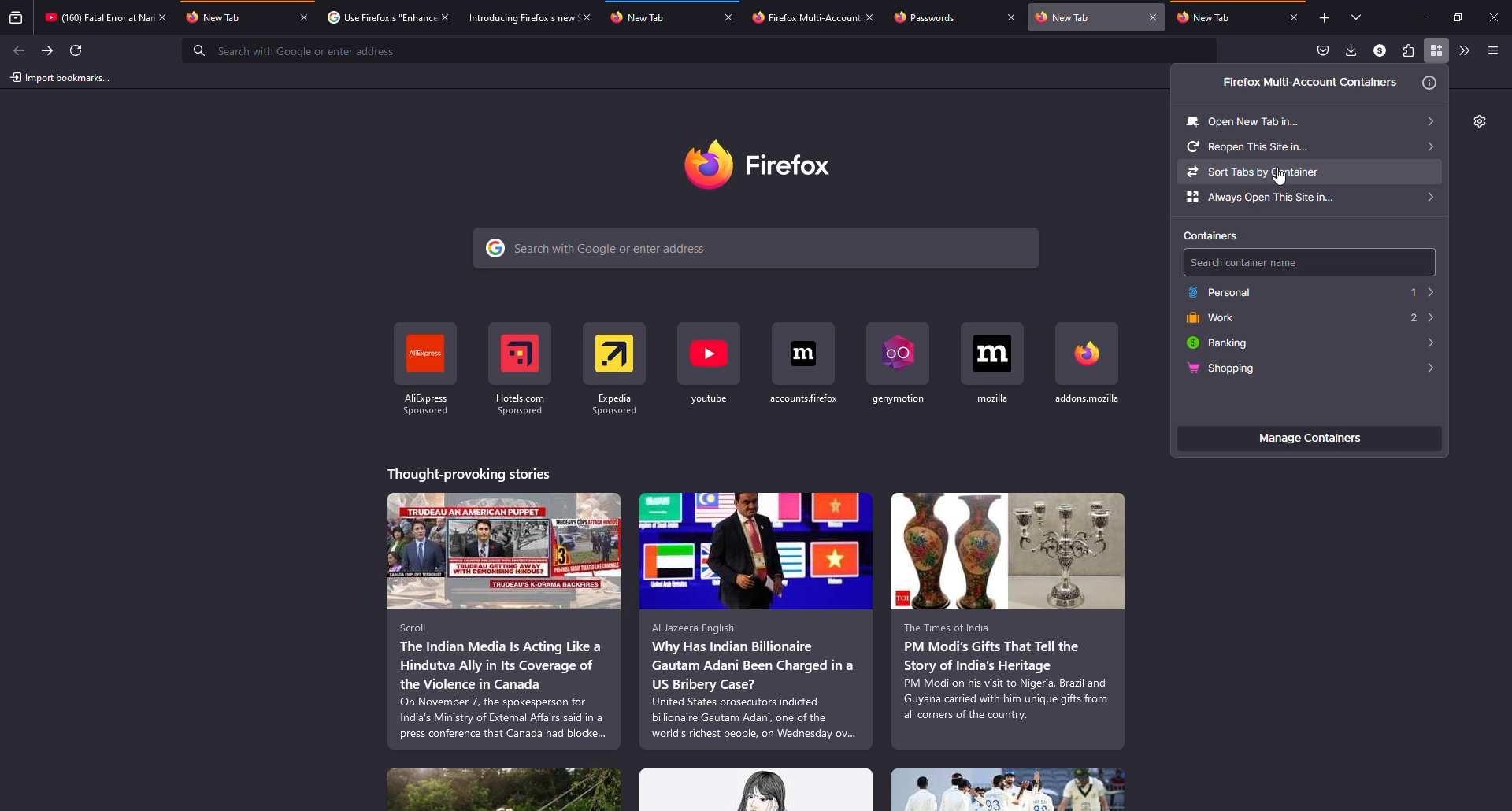  I want to click on settings, so click(1478, 121).